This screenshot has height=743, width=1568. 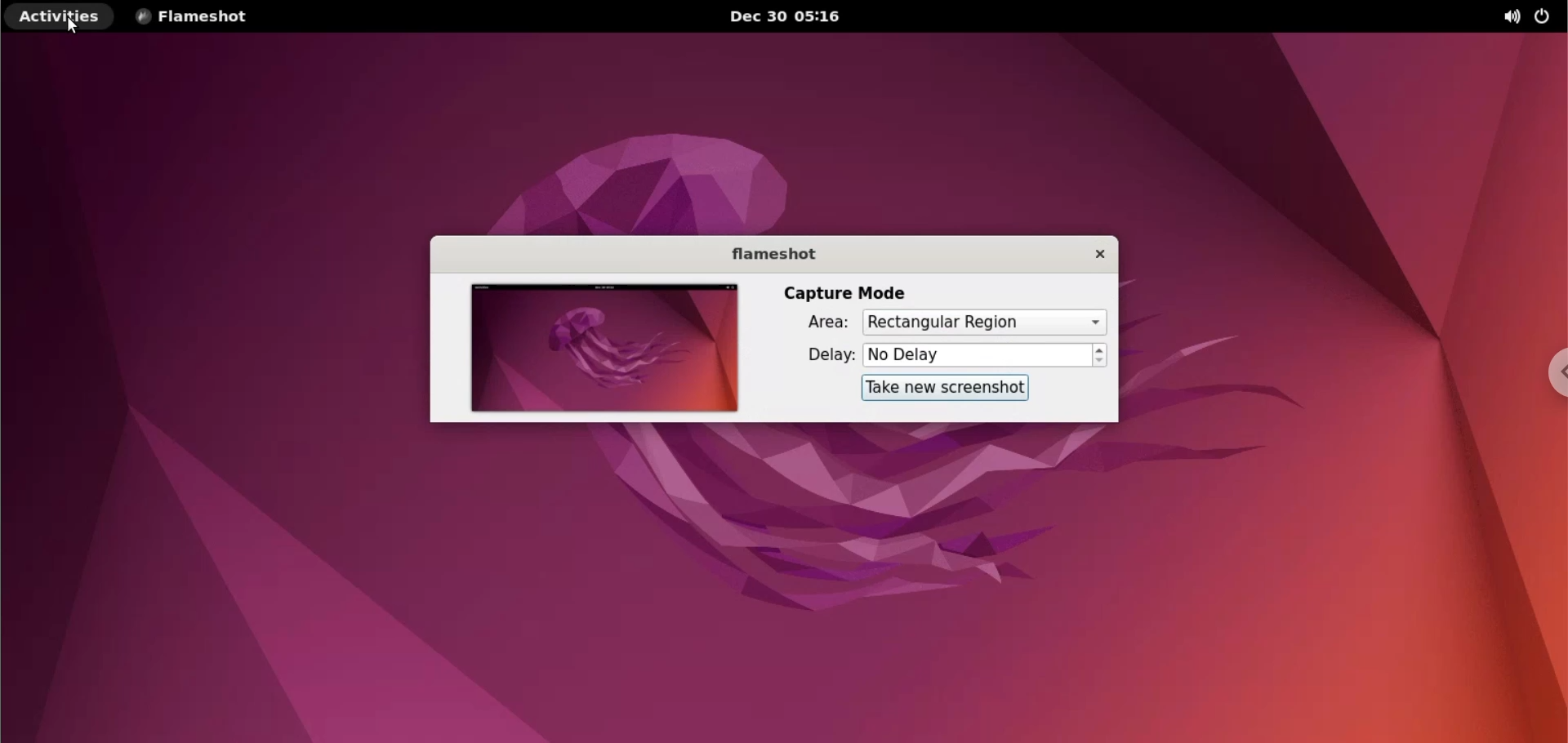 What do you see at coordinates (74, 25) in the screenshot?
I see `cursor` at bounding box center [74, 25].